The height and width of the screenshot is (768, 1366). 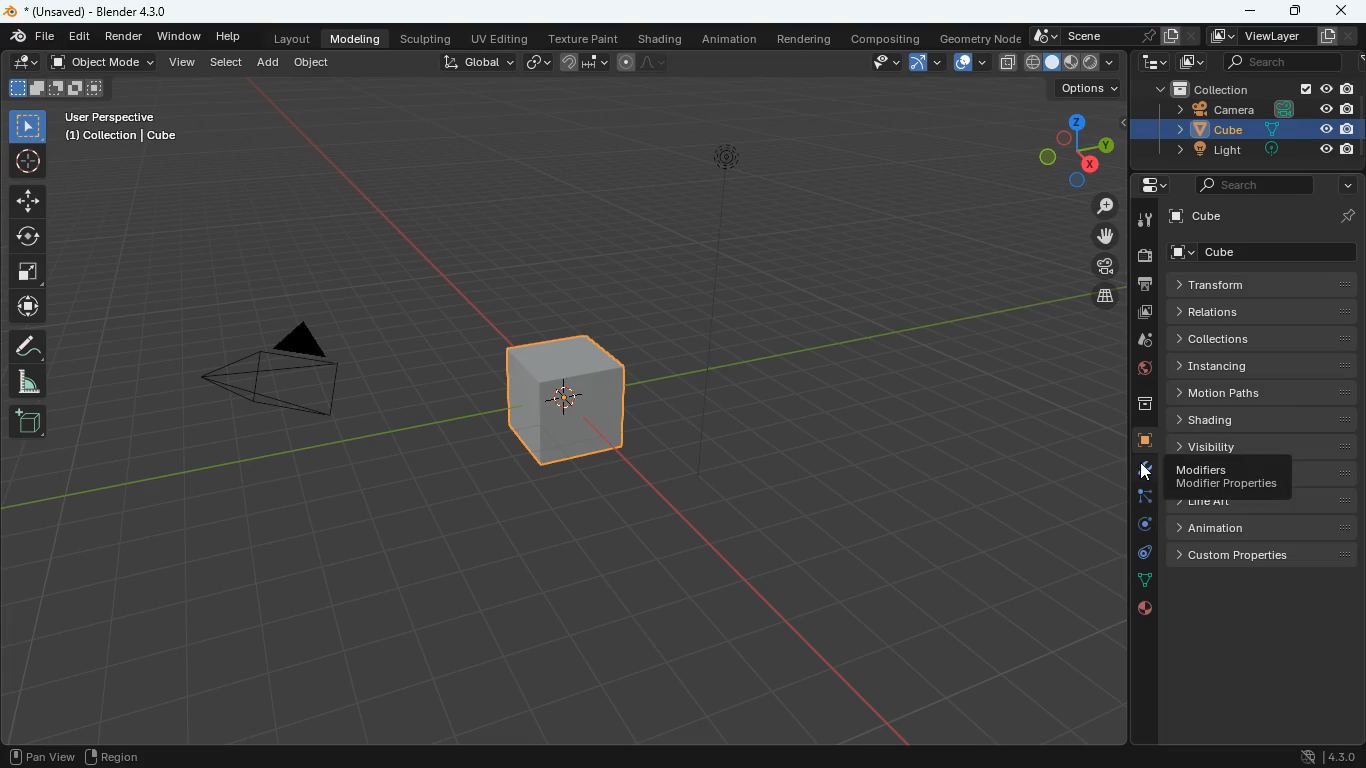 What do you see at coordinates (1192, 63) in the screenshot?
I see `image` at bounding box center [1192, 63].